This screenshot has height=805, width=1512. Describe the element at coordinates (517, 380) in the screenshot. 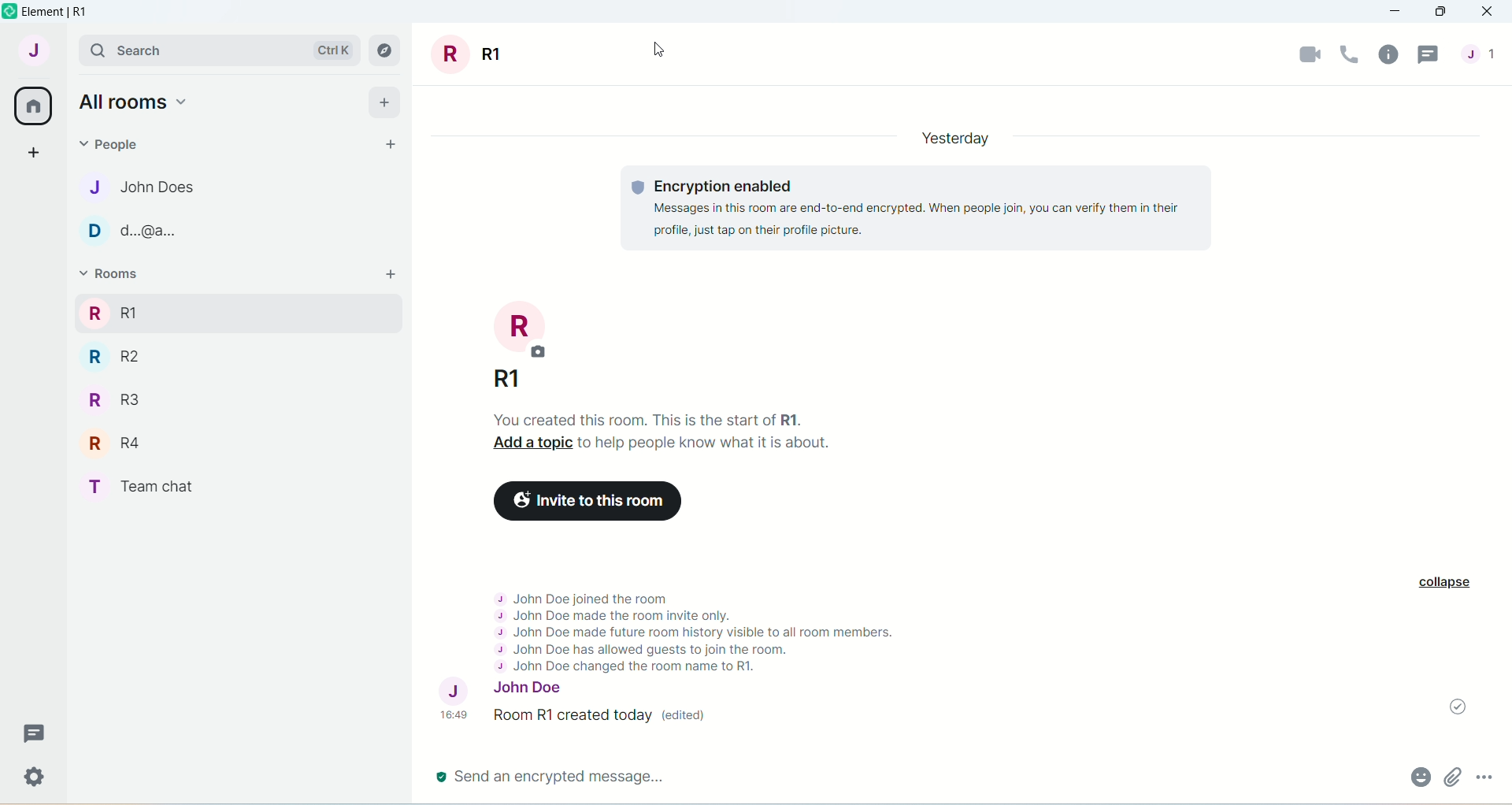

I see `R1` at that location.